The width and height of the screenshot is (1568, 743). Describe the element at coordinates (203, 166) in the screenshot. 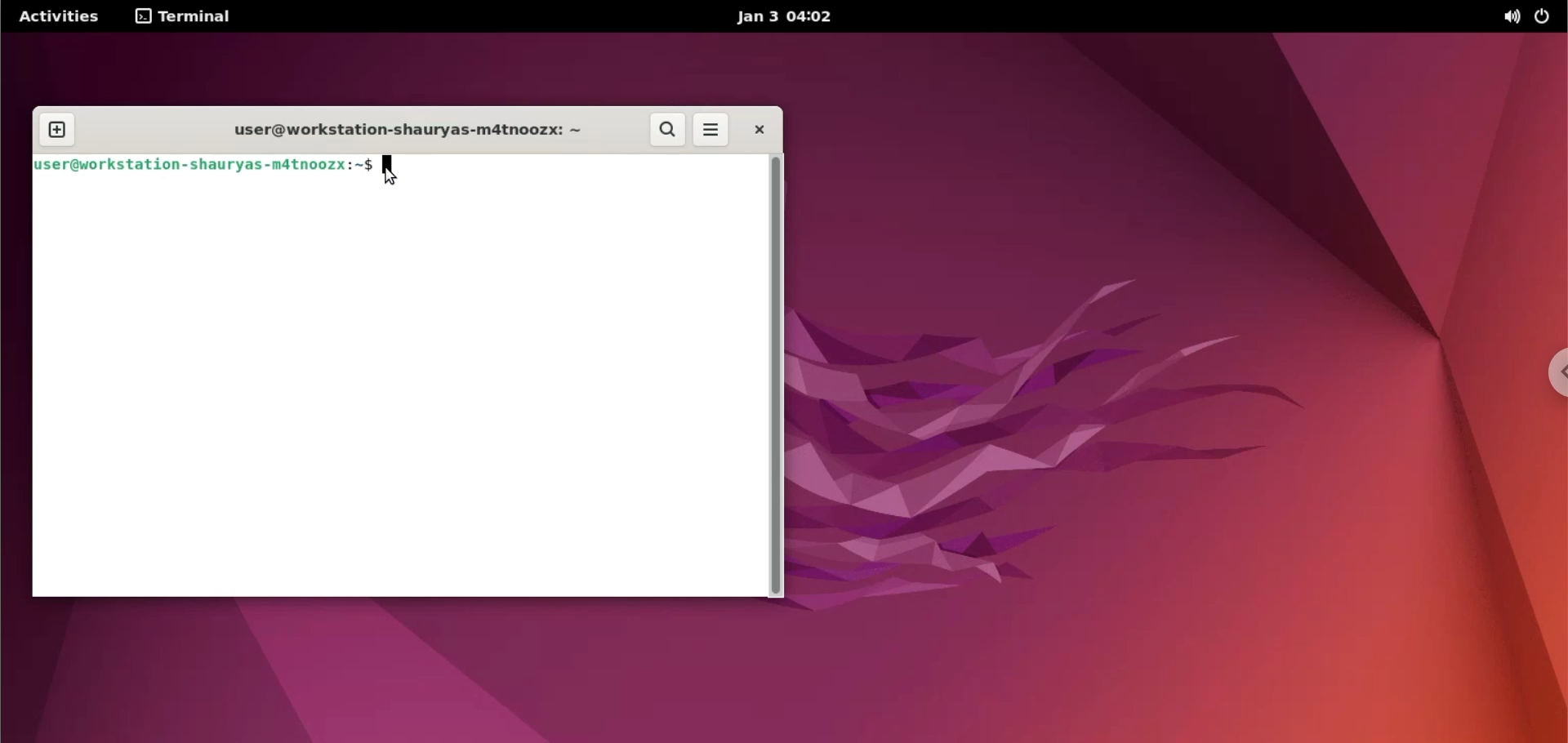

I see `user@workstation- shauryas-m4tnoozx:-` at that location.